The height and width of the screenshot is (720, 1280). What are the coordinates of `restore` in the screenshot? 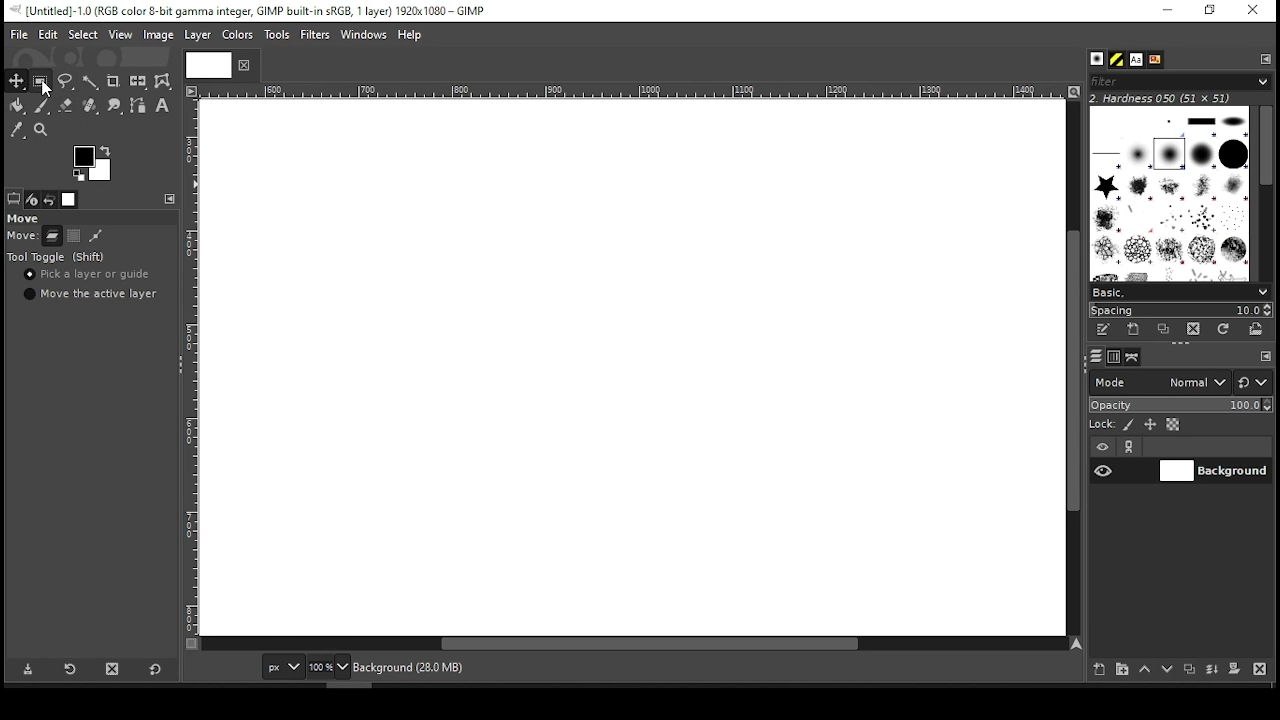 It's located at (1212, 11).